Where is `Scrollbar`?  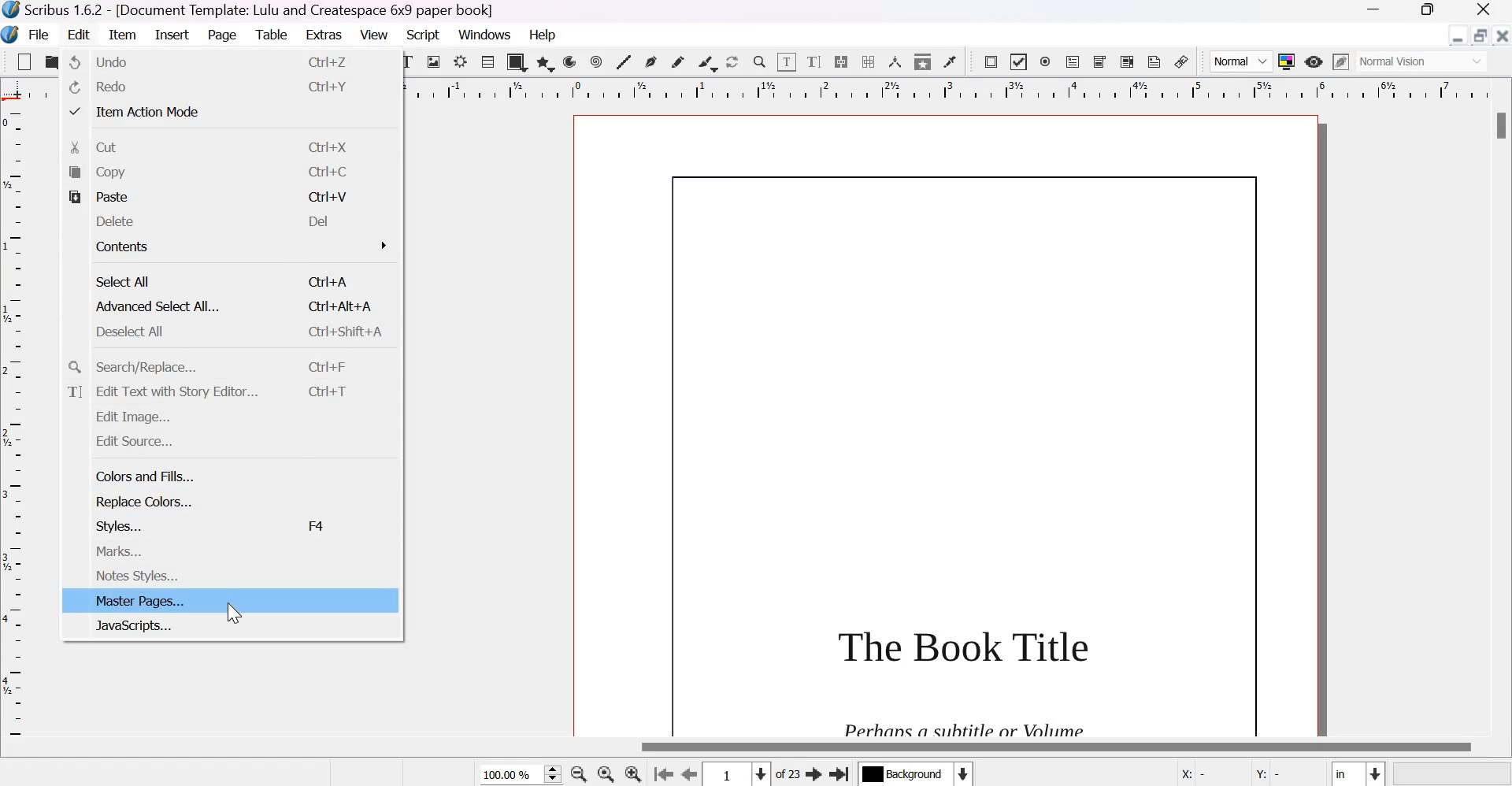
Scrollbar is located at coordinates (1051, 747).